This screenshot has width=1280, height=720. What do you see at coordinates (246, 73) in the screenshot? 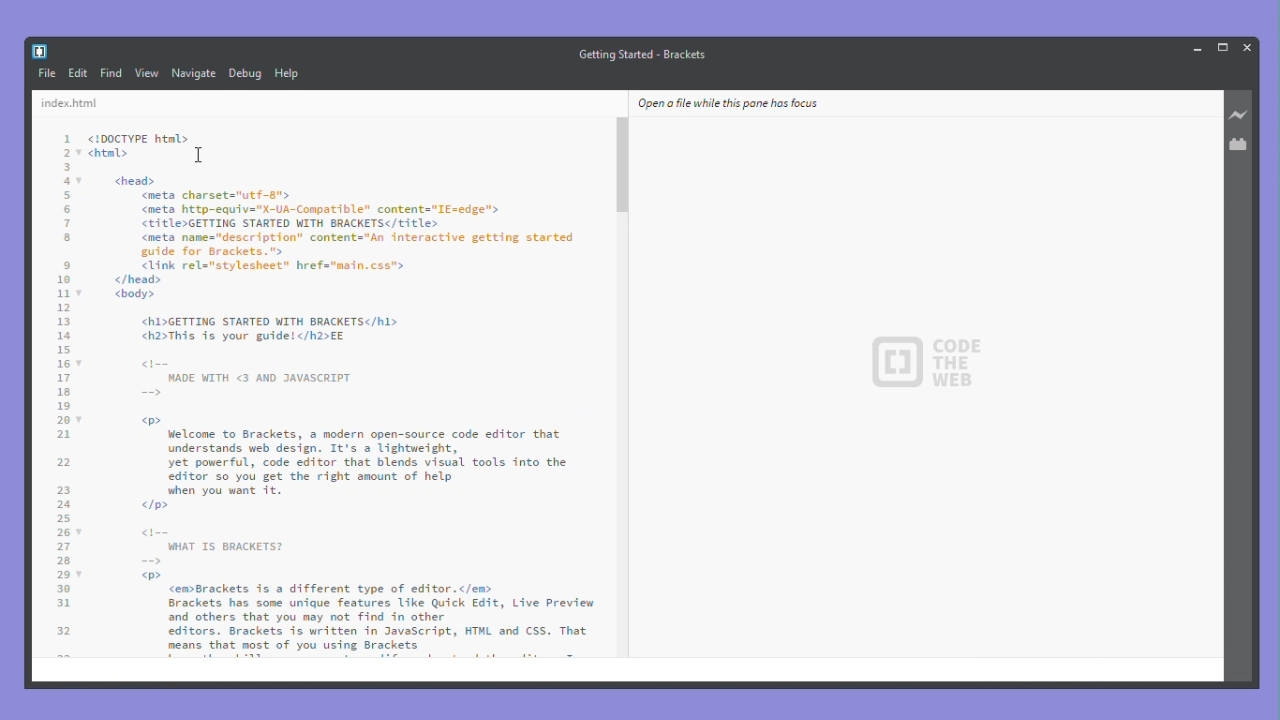
I see `Debug` at bounding box center [246, 73].